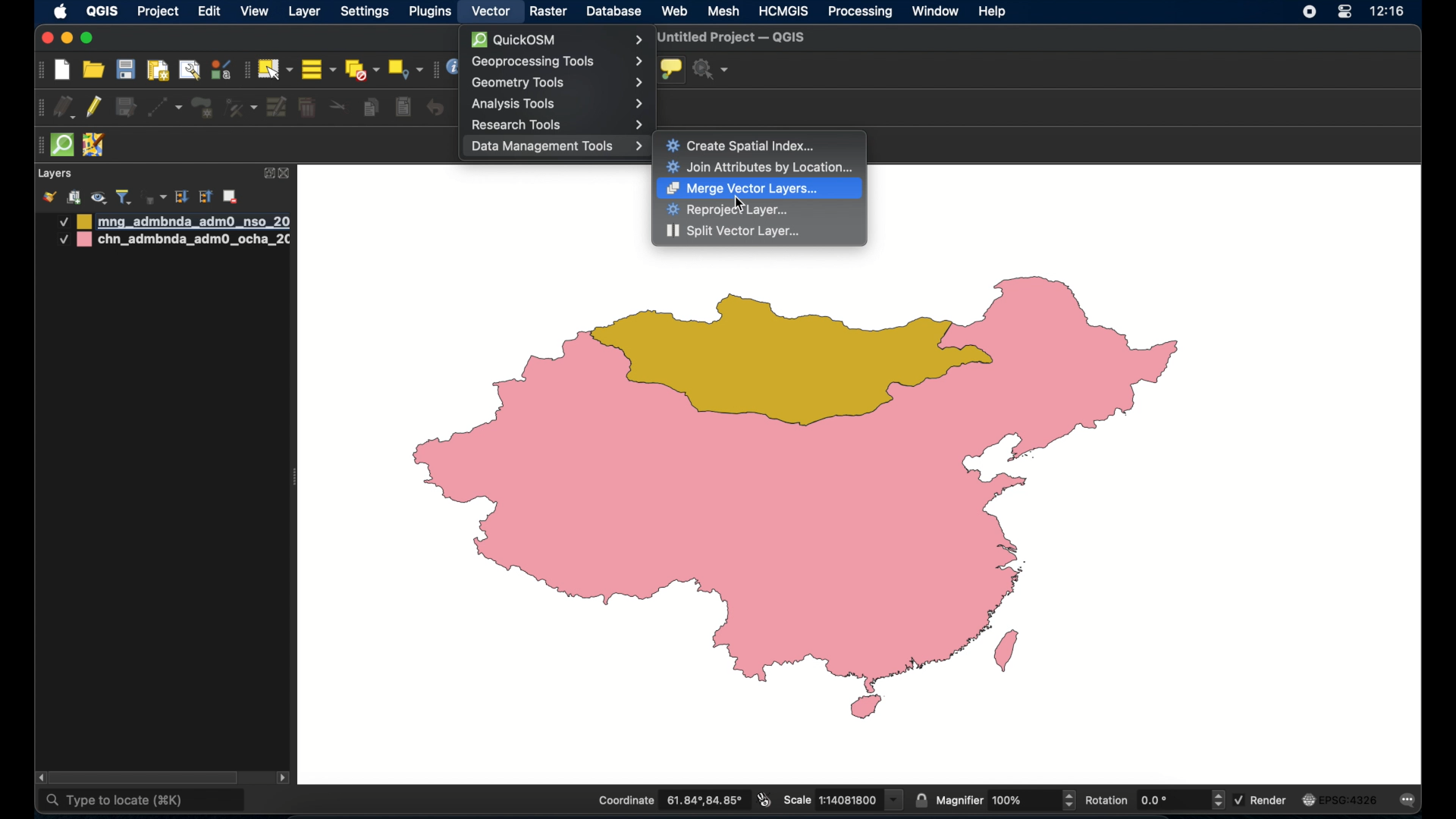 Image resolution: width=1456 pixels, height=819 pixels. I want to click on selection toolbar, so click(245, 70).